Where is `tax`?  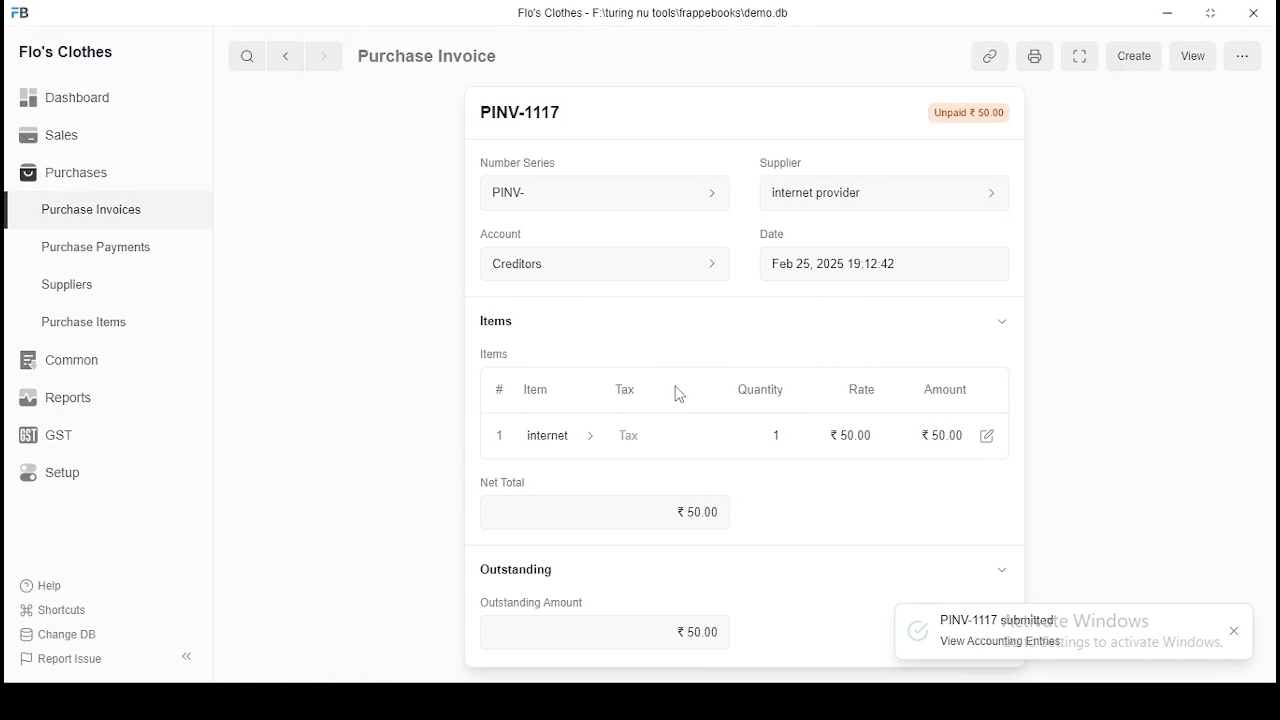 tax is located at coordinates (627, 438).